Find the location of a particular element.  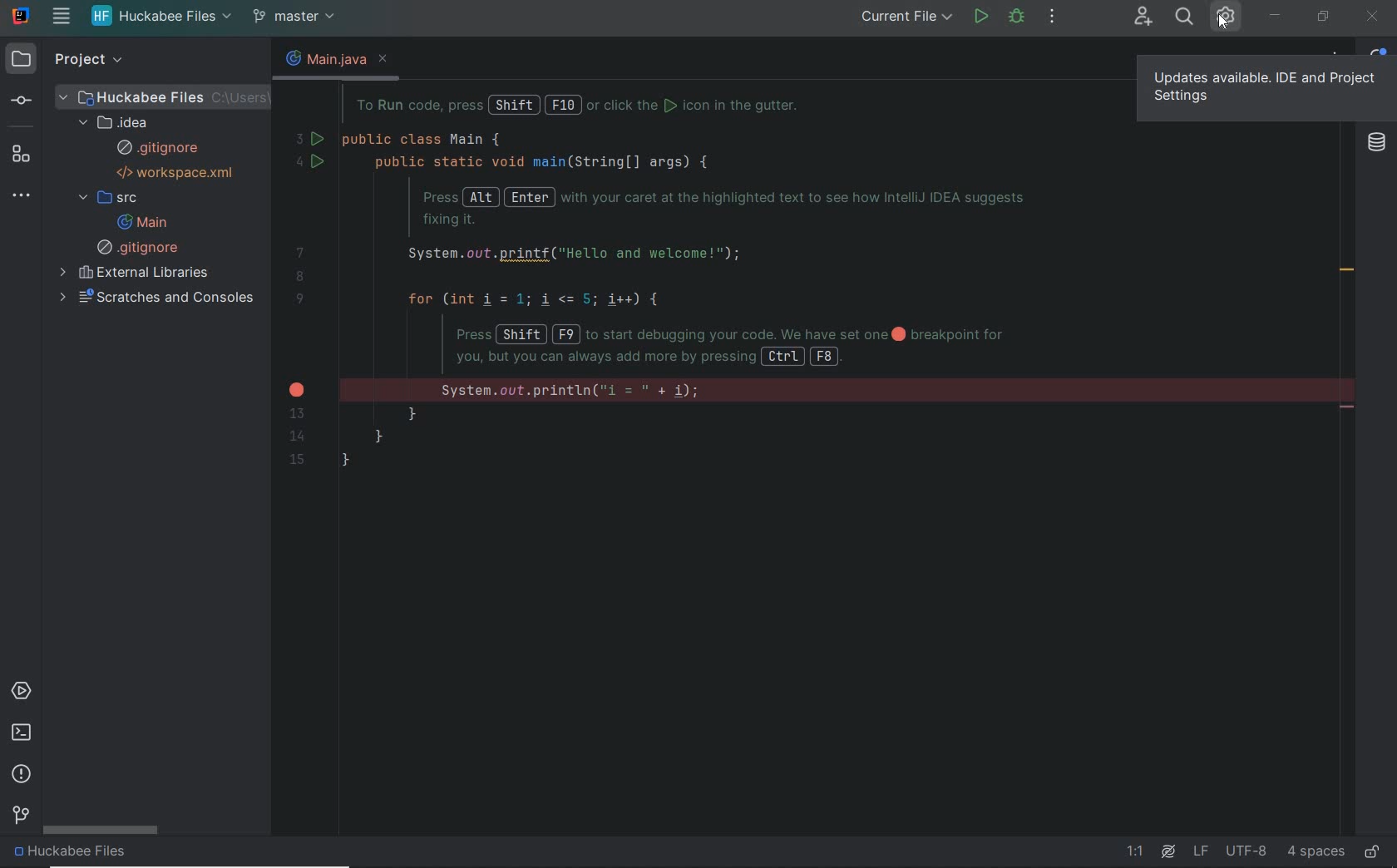

src is located at coordinates (107, 199).